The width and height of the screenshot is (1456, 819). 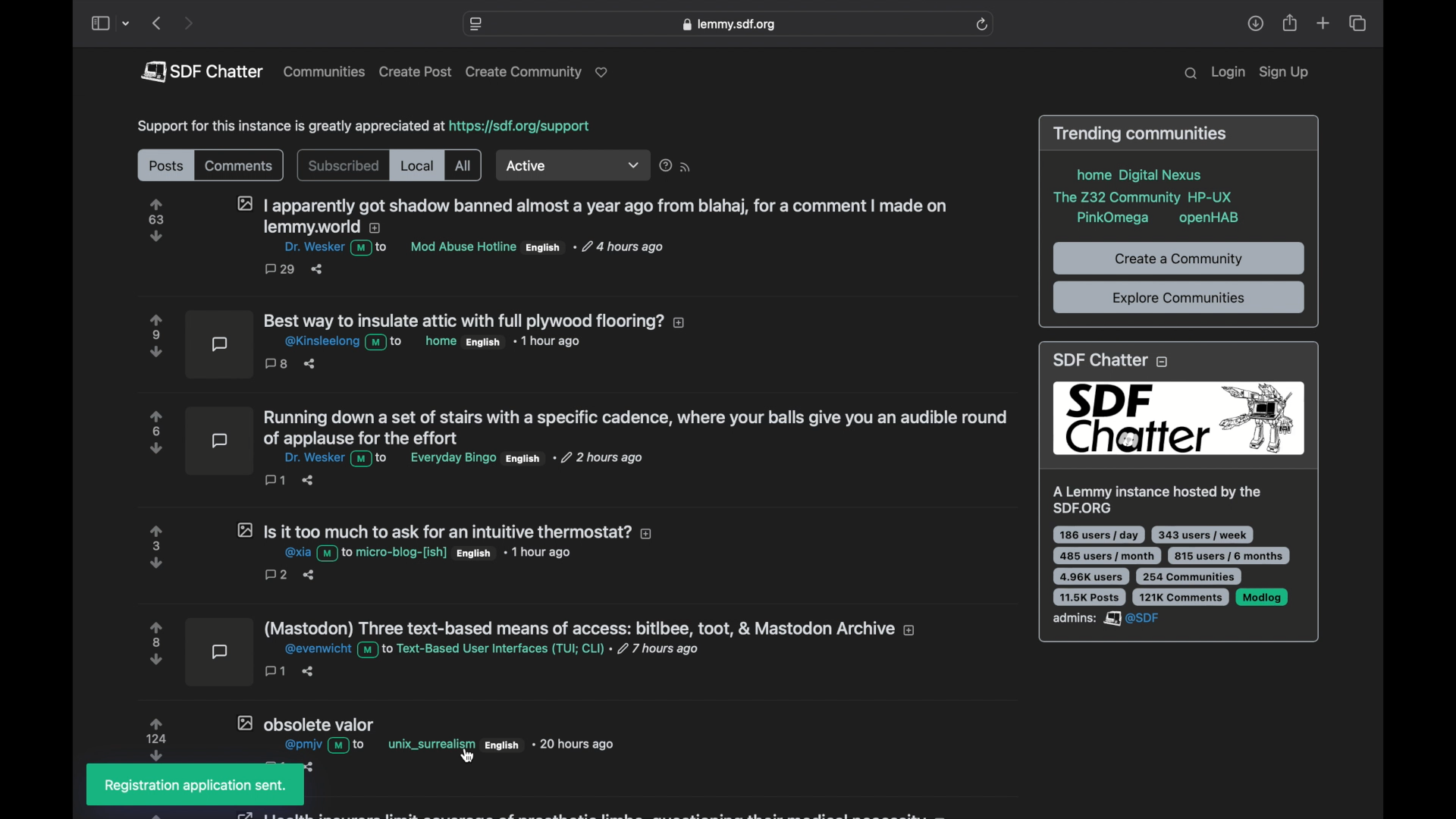 I want to click on registration application sent, so click(x=196, y=786).